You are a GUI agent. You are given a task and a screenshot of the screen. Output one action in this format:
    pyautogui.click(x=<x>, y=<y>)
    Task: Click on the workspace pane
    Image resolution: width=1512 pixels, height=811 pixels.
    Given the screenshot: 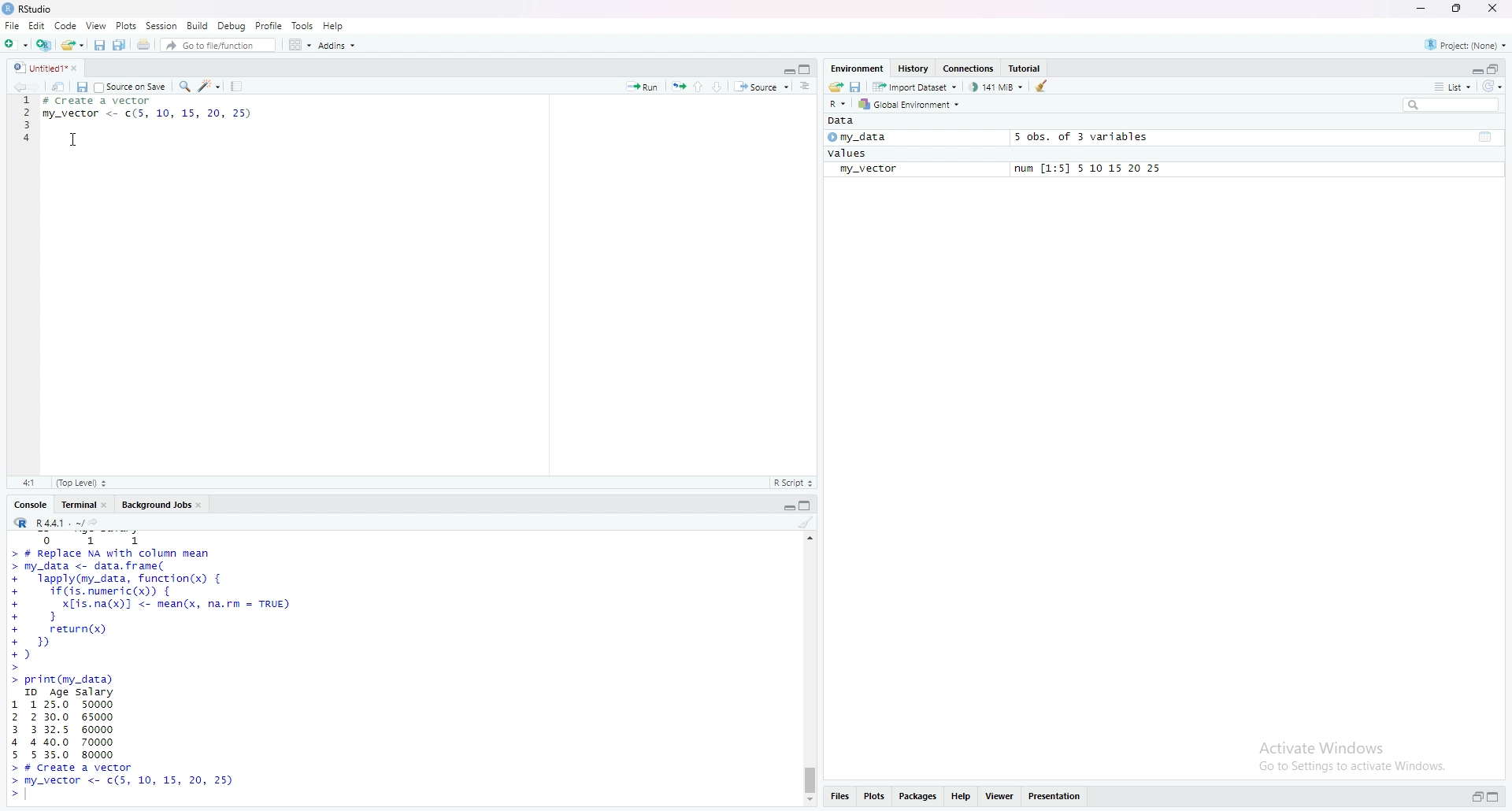 What is the action you would take?
    pyautogui.click(x=296, y=45)
    